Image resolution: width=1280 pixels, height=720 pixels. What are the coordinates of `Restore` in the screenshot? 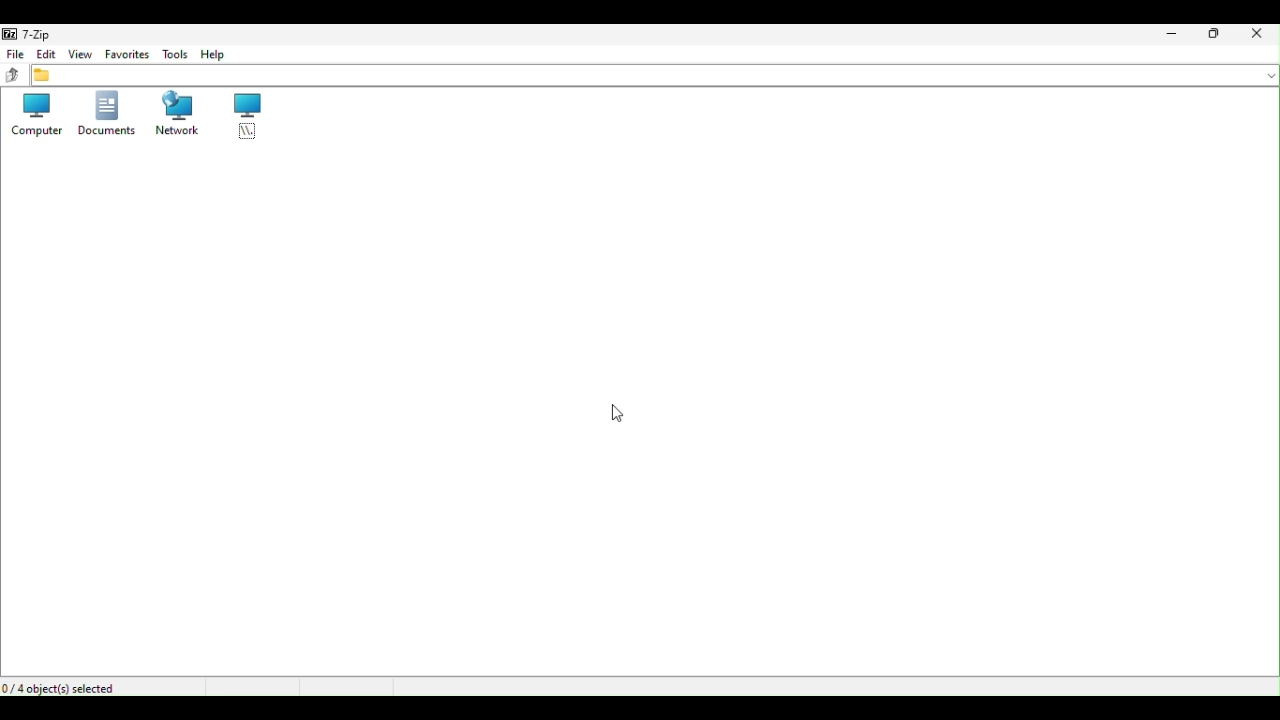 It's located at (1220, 37).